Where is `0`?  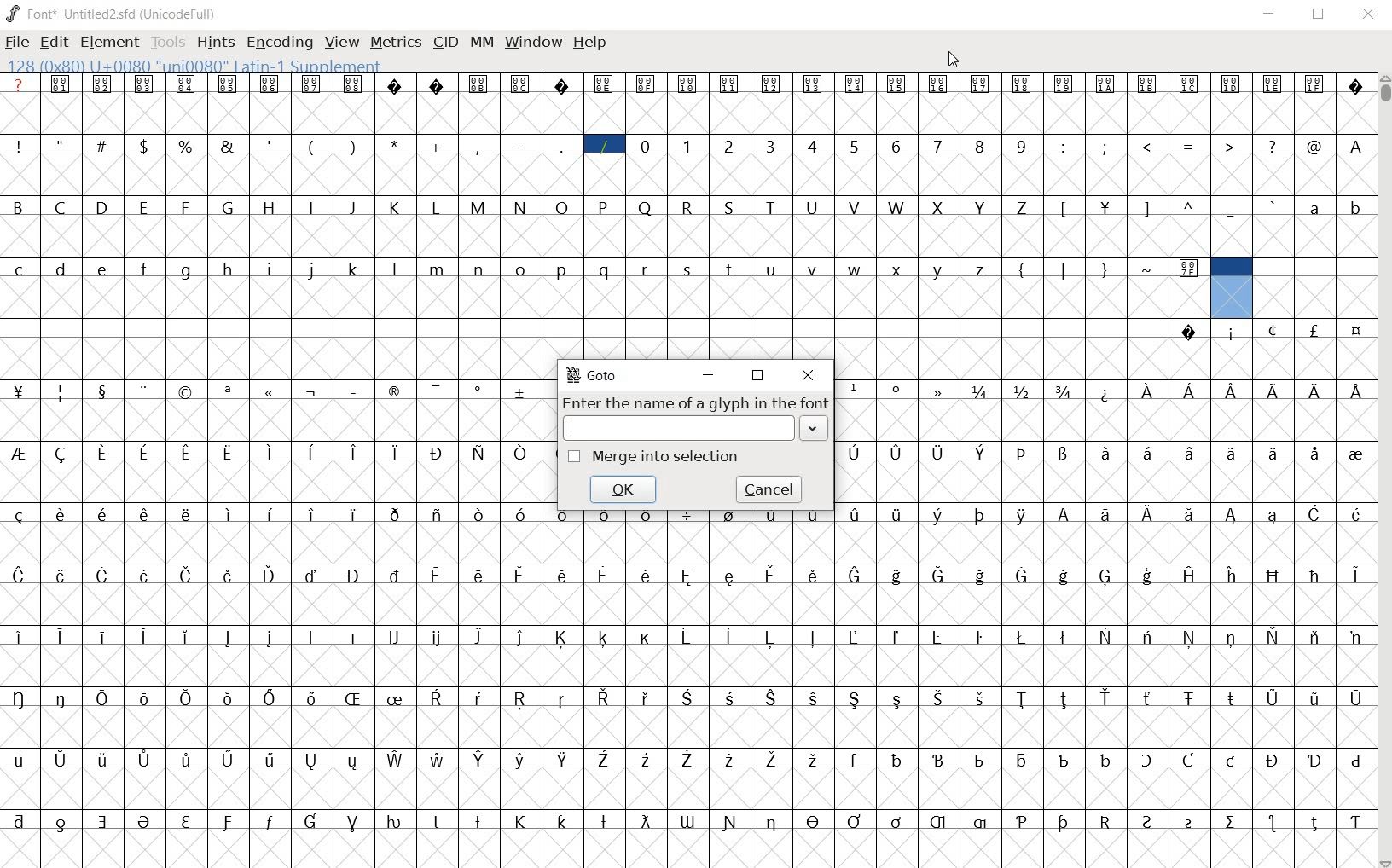
0 is located at coordinates (647, 144).